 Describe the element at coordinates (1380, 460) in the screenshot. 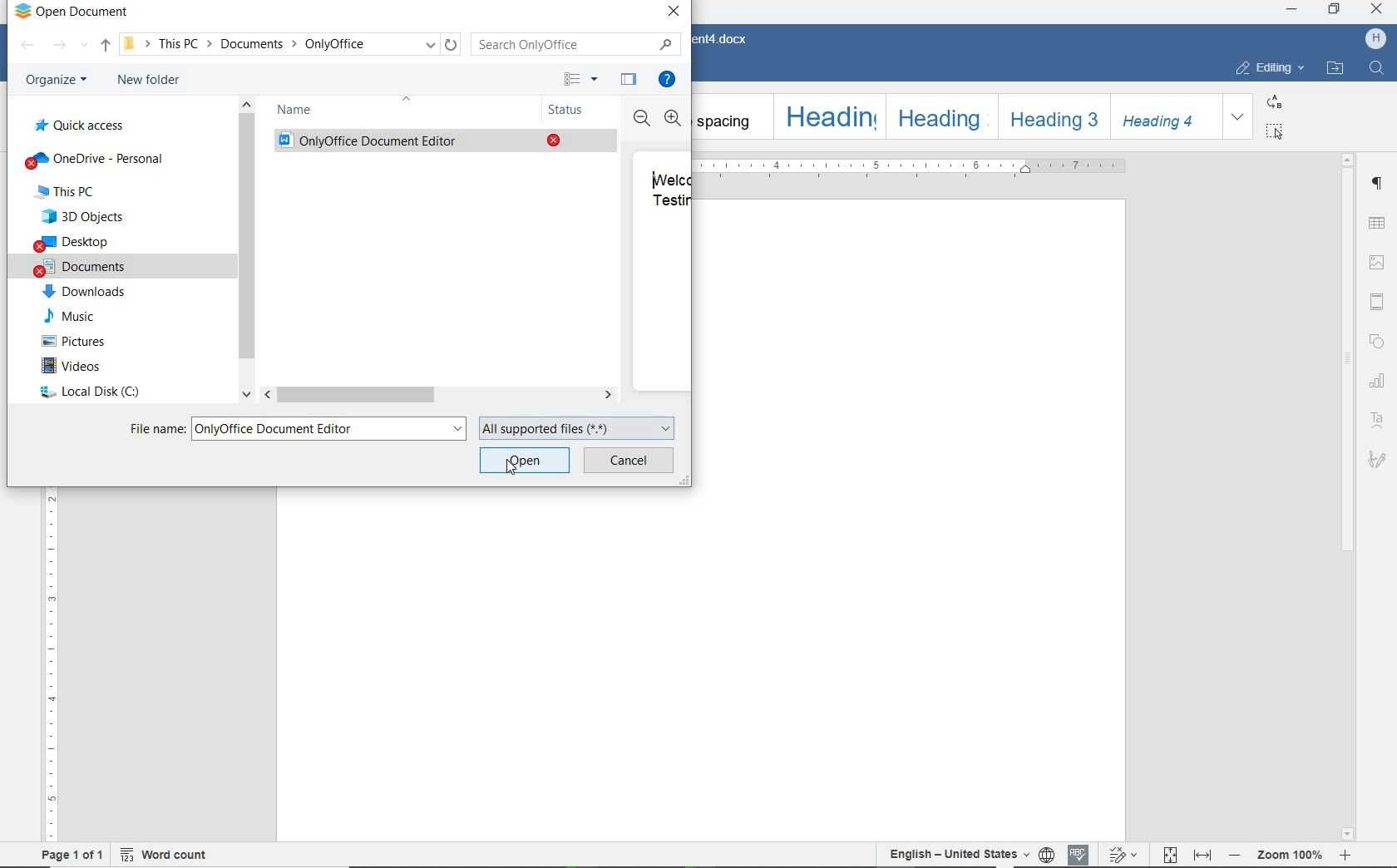

I see `Signature` at that location.